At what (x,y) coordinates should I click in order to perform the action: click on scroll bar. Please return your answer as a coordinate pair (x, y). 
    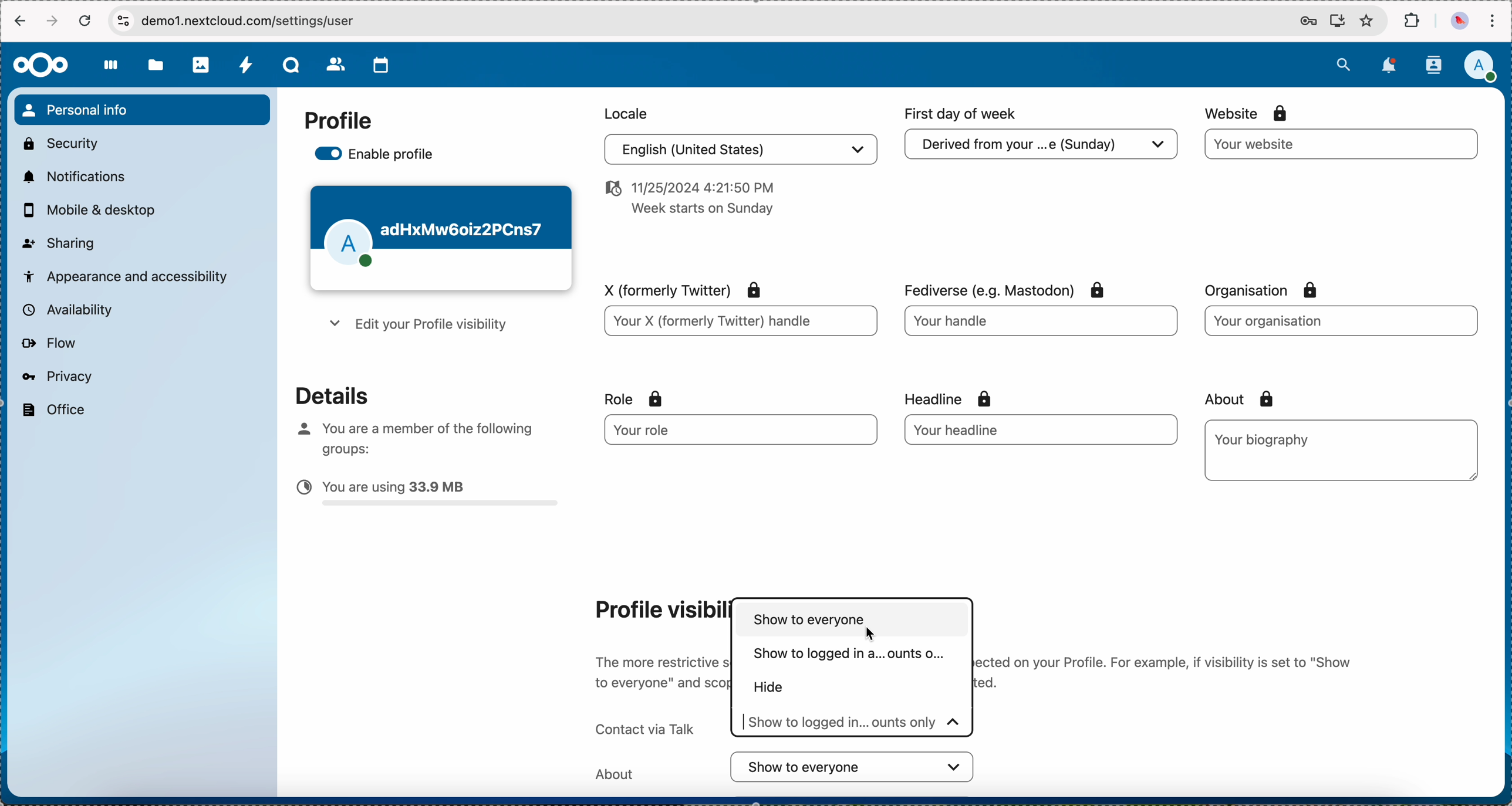
    Looking at the image, I should click on (1500, 398).